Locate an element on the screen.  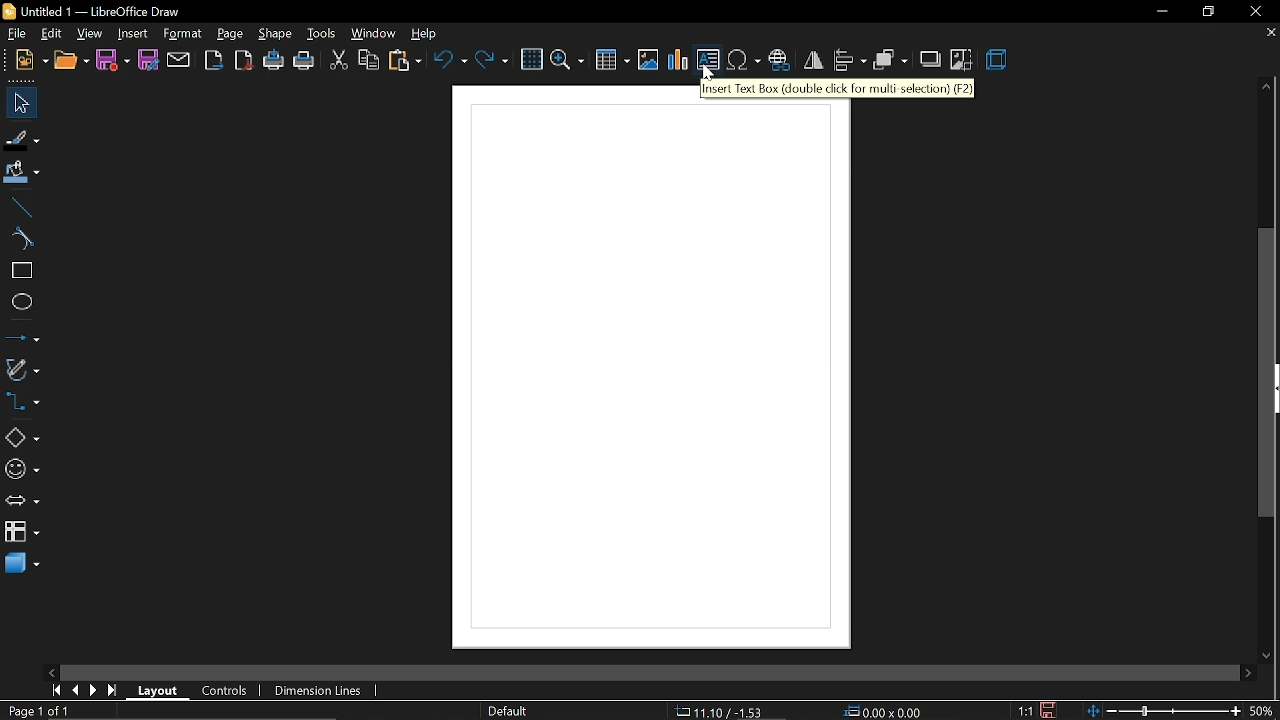
crop is located at coordinates (962, 60).